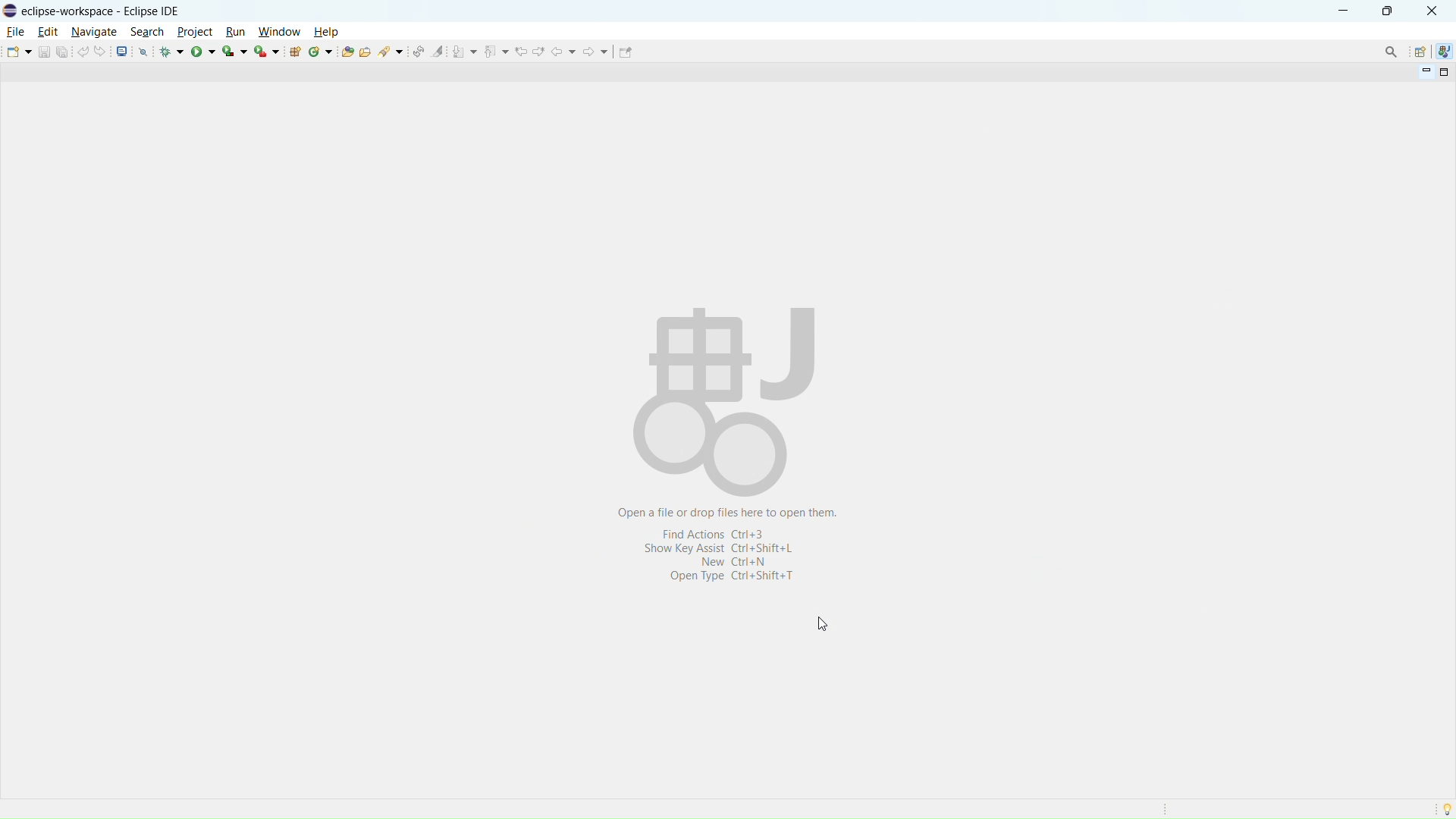 Image resolution: width=1456 pixels, height=819 pixels. I want to click on next annotation, so click(465, 52).